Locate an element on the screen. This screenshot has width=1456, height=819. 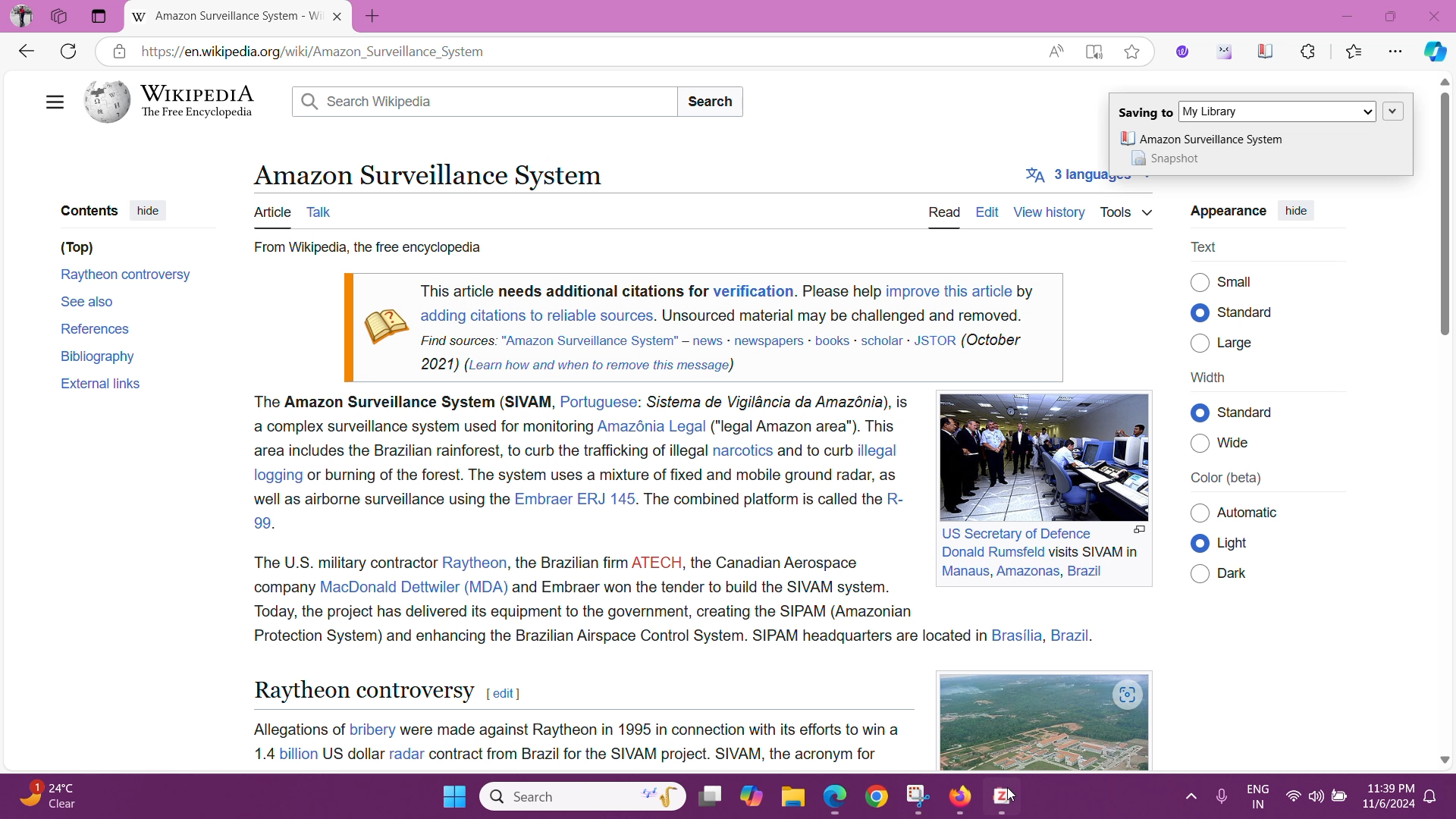
Raytheon controversy is located at coordinates (362, 690).